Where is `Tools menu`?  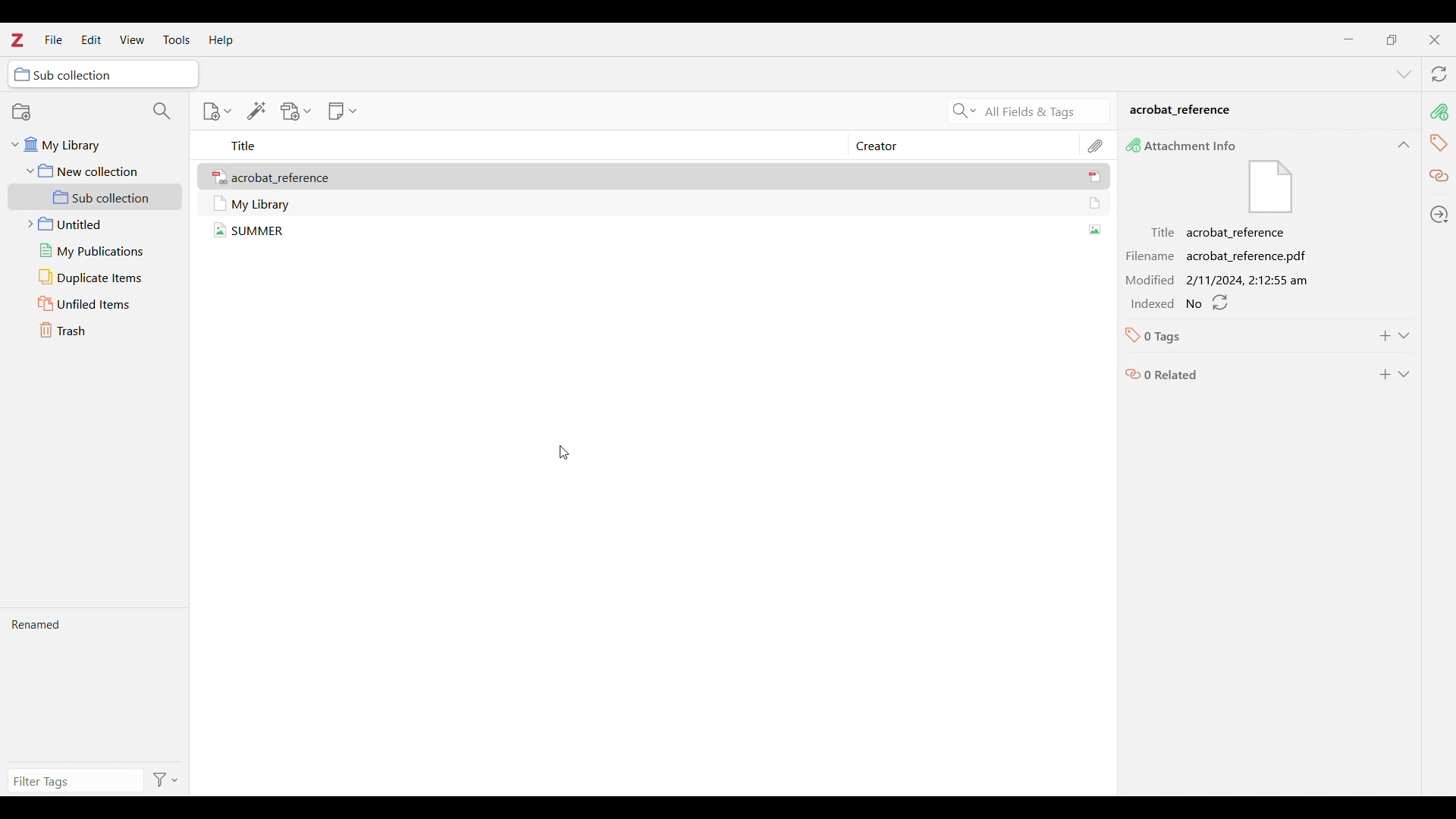
Tools menu is located at coordinates (176, 39).